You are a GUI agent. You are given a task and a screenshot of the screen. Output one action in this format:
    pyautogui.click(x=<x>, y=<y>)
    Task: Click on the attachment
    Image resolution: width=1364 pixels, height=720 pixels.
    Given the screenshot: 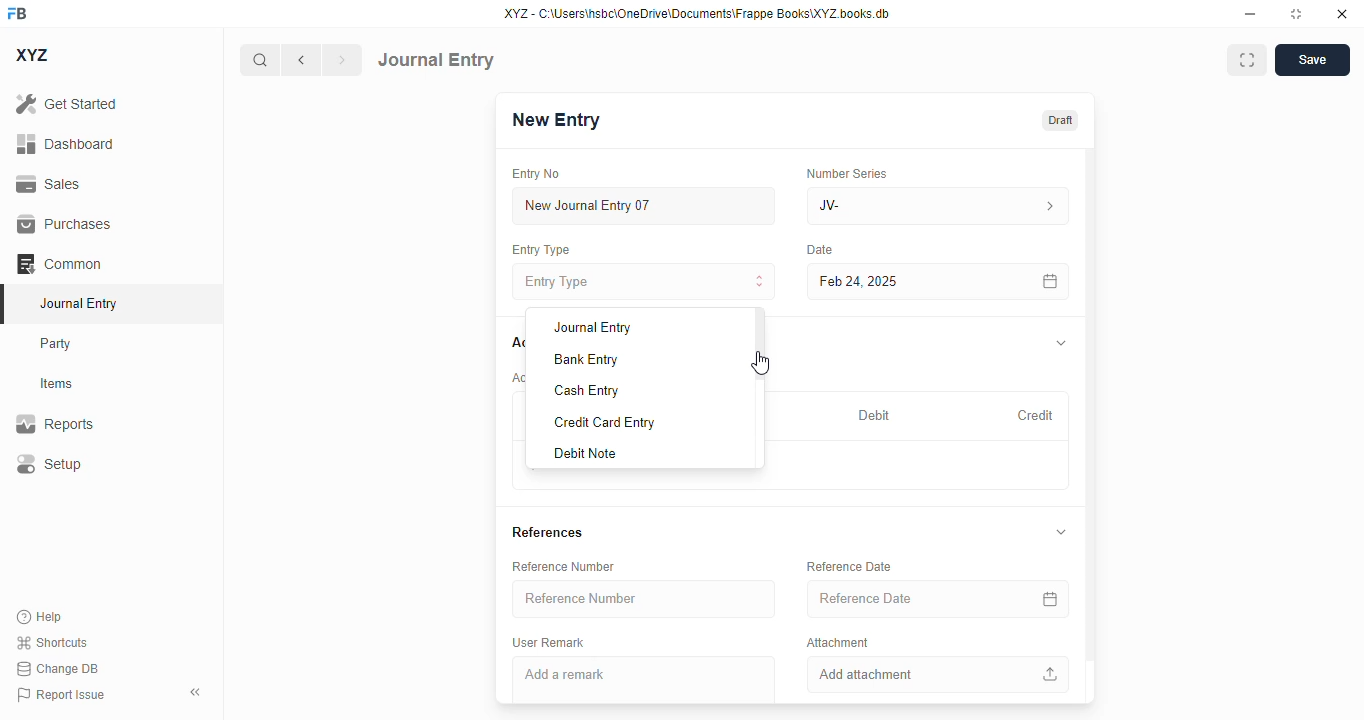 What is the action you would take?
    pyautogui.click(x=838, y=642)
    